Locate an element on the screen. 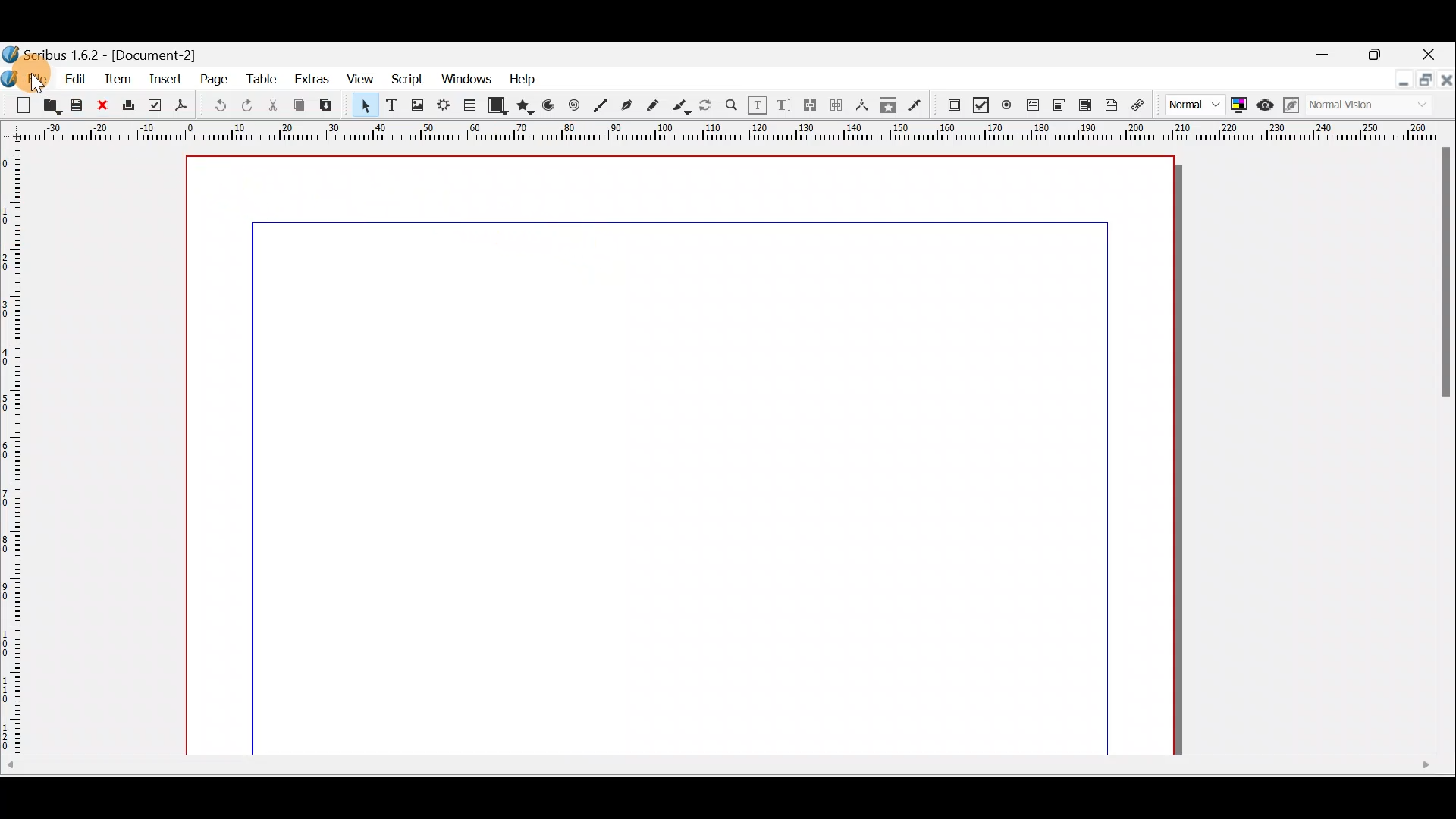  Link text frames is located at coordinates (808, 105).